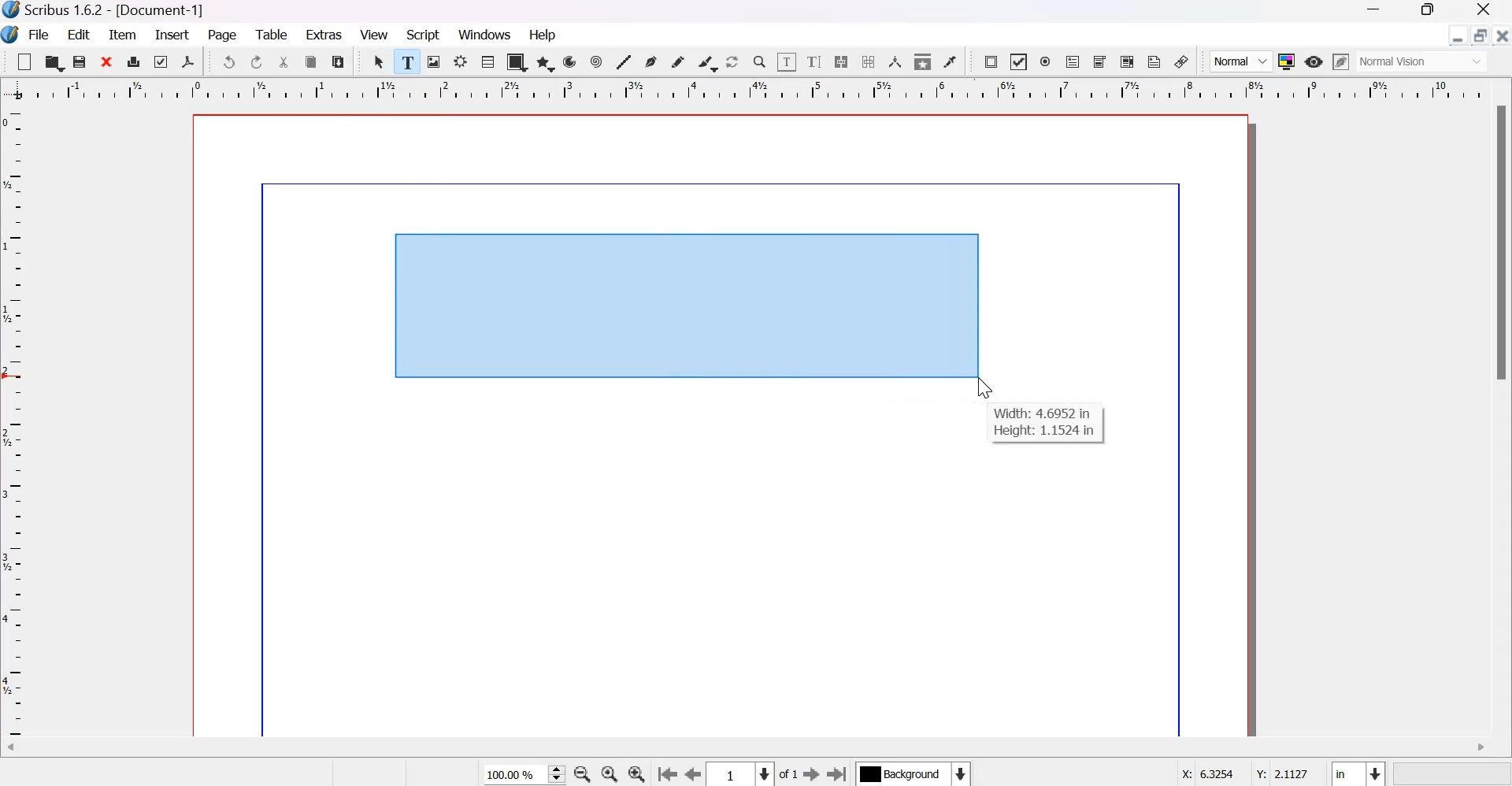 The height and width of the screenshot is (786, 1512). What do you see at coordinates (1458, 35) in the screenshot?
I see `minimize` at bounding box center [1458, 35].